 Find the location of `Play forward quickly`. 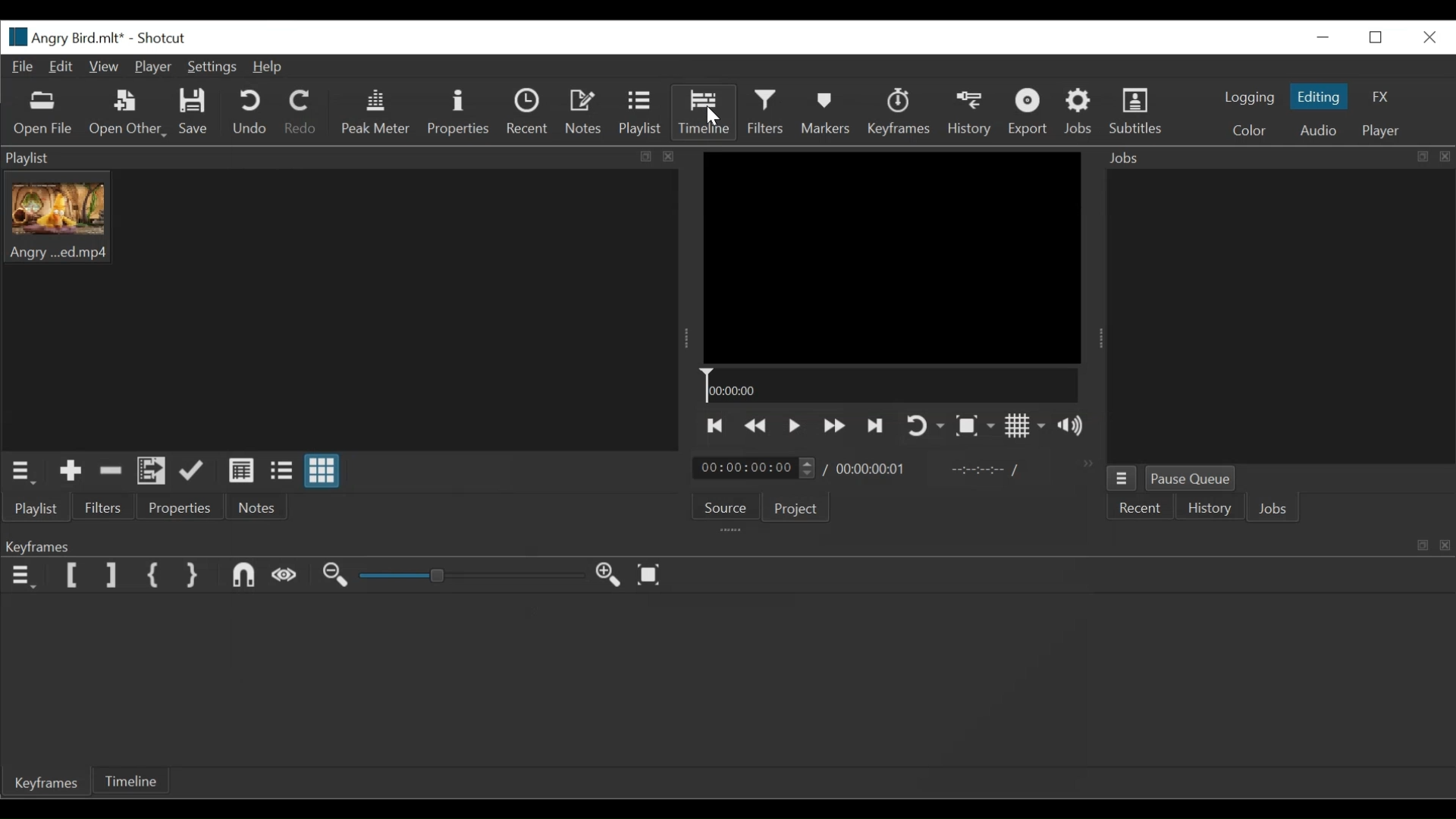

Play forward quickly is located at coordinates (836, 426).